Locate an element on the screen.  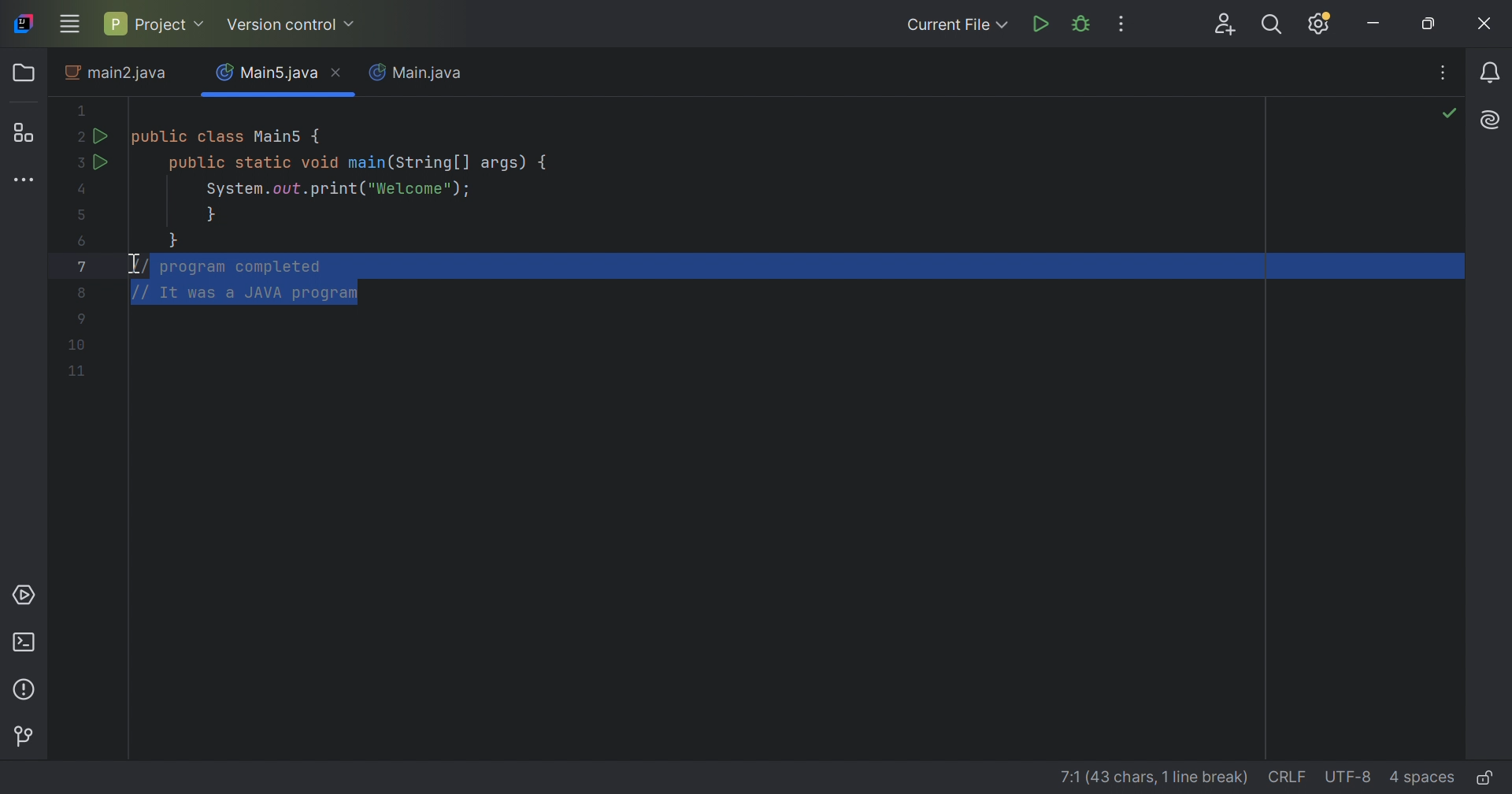
I-beam cursor is located at coordinates (135, 263).